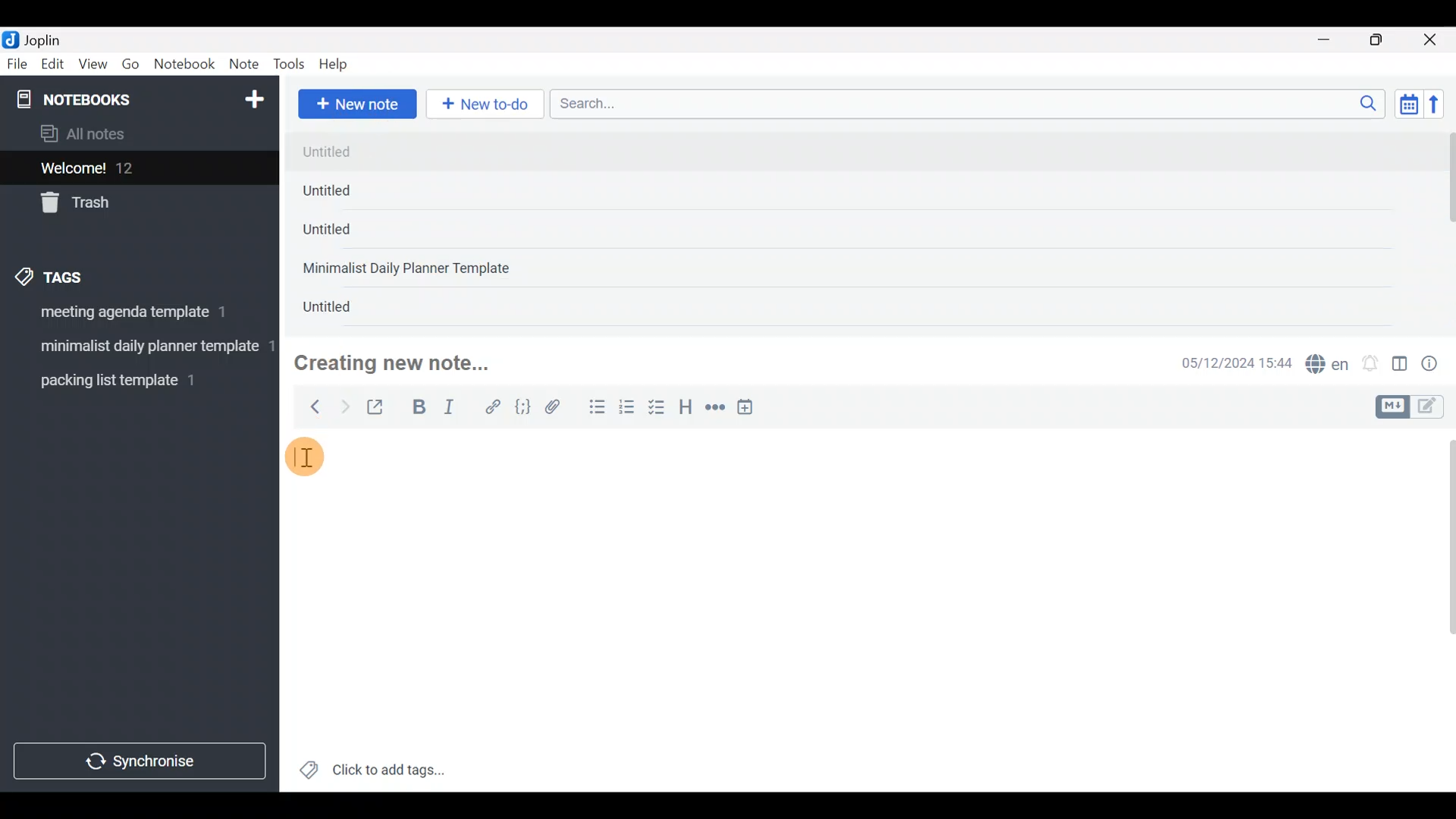  What do you see at coordinates (372, 775) in the screenshot?
I see `Click to add tags` at bounding box center [372, 775].